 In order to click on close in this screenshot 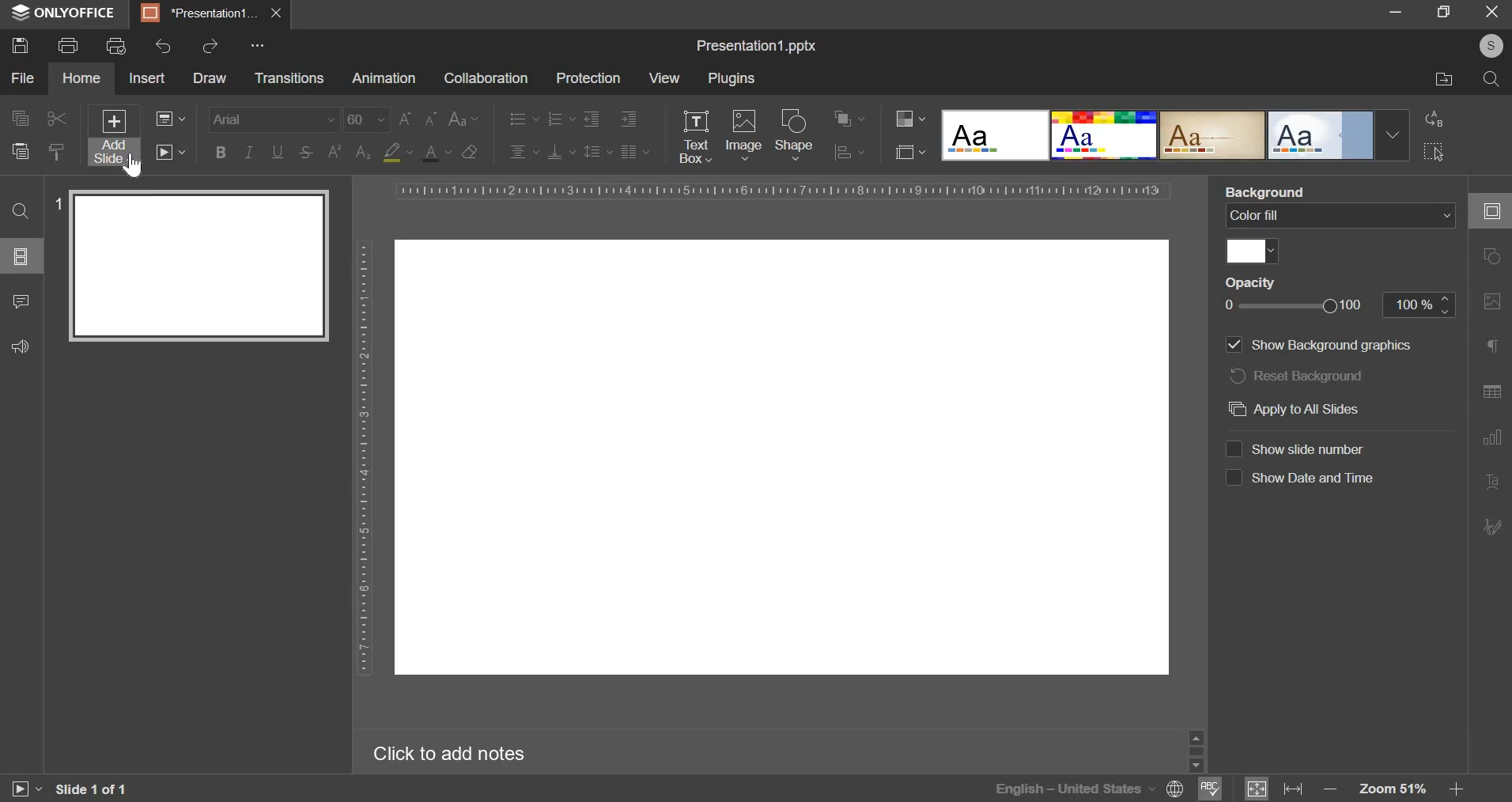, I will do `click(276, 13)`.